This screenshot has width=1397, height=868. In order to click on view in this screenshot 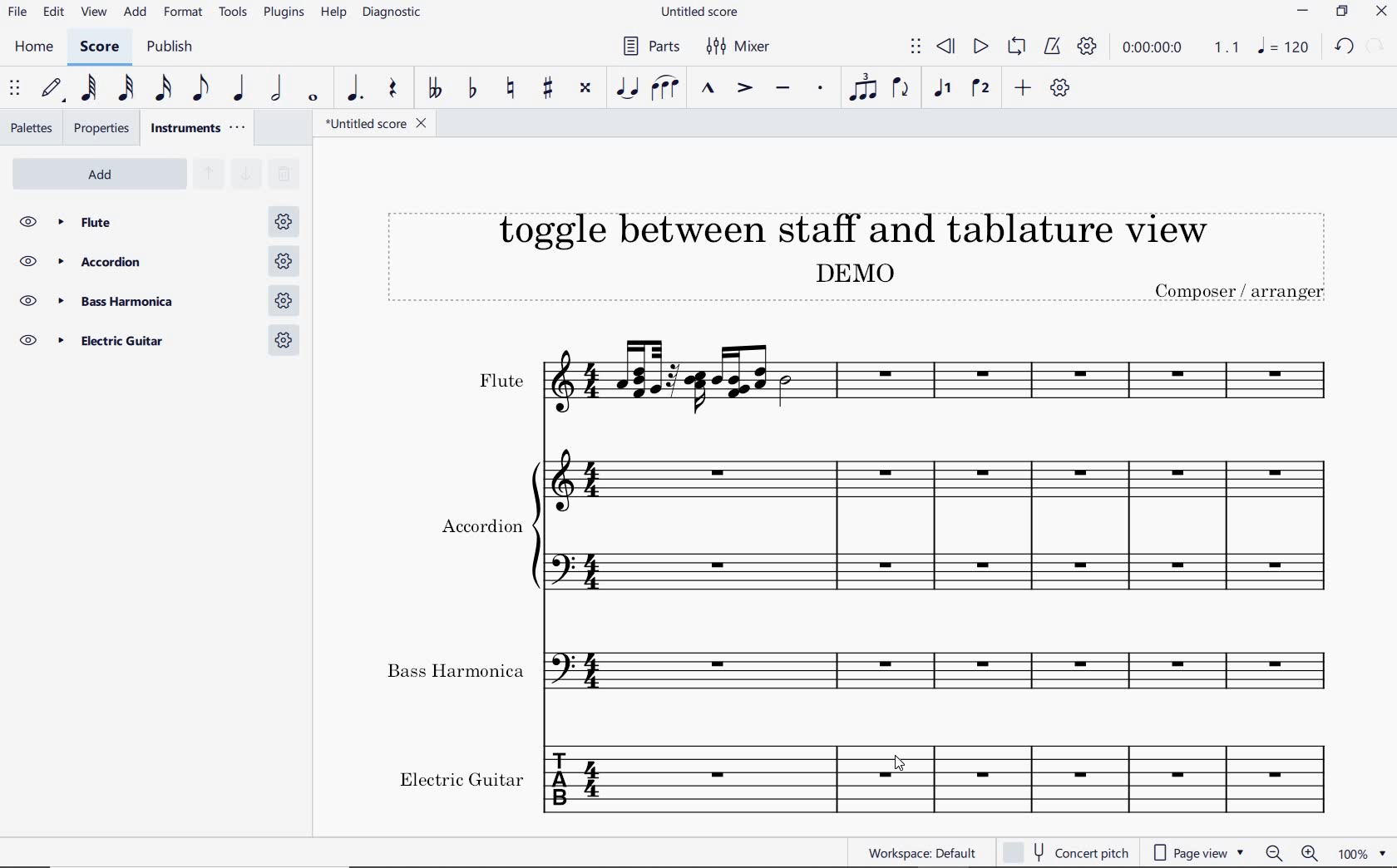, I will do `click(91, 16)`.